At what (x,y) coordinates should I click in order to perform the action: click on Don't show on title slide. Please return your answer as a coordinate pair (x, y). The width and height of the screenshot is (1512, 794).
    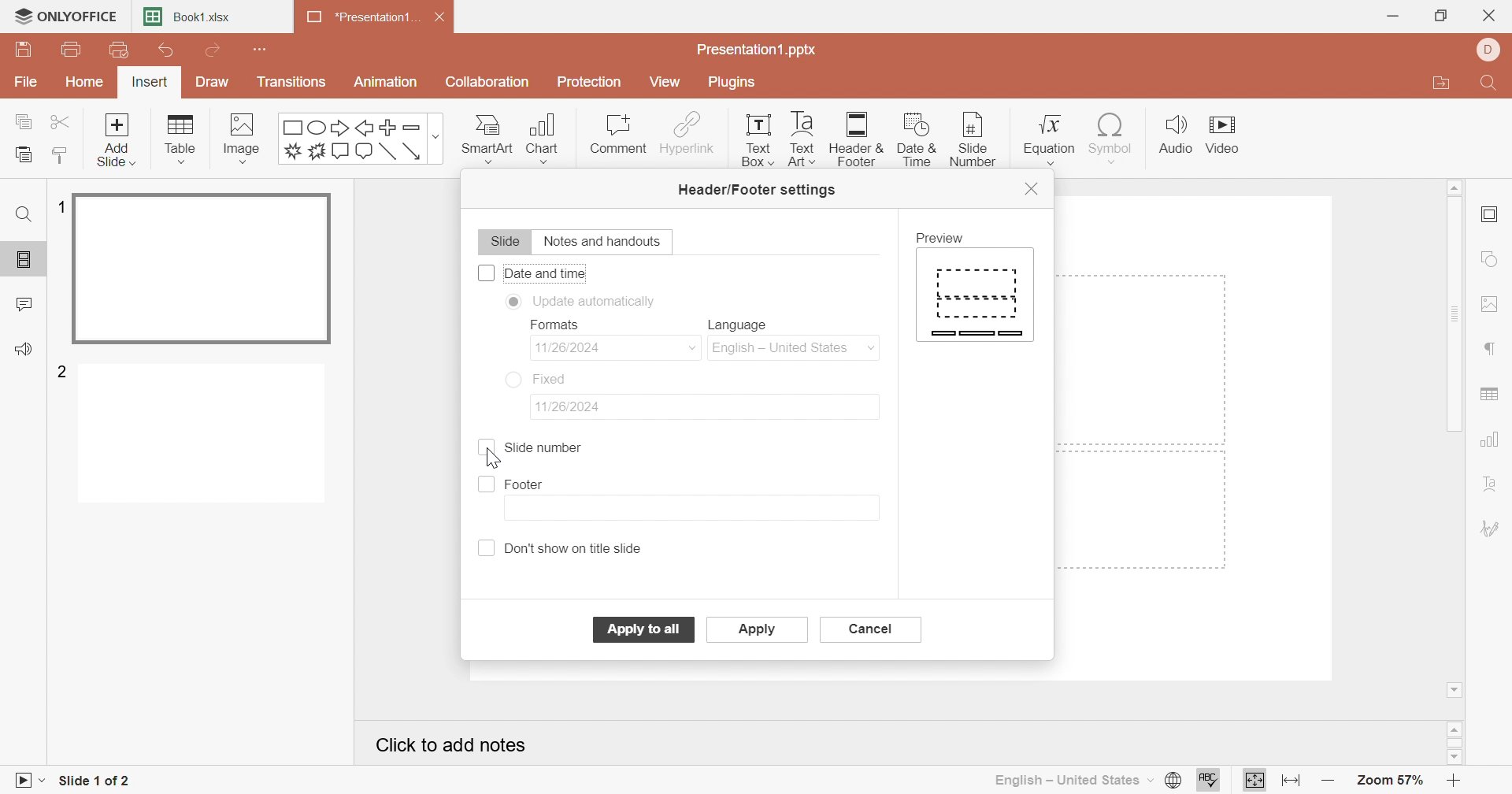
    Looking at the image, I should click on (579, 547).